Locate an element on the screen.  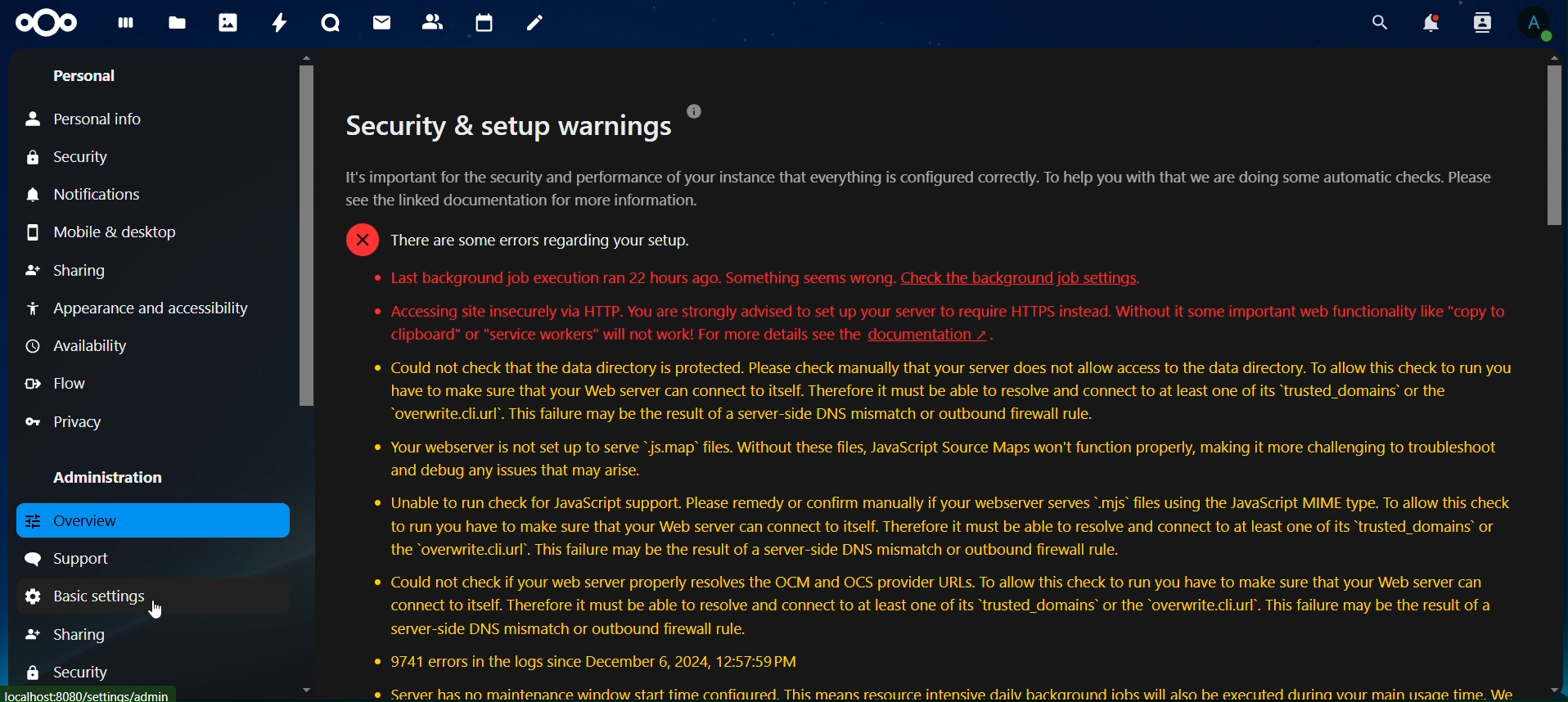
. . [:]
Security & setup warnings
It's important for the security and performance of your instance that everything is configured correctly. To help you with that we are doing some automatic checks. Please
see the linked documentation for more information.
[x] There are some errors regarding your setup.

Last background job execution ran 22 hours ago. Something seems wrong. Check the background job settings.

* Accessing site insecurely via HTTP. You are strongly advised to set up your server to require HTTPS instead. Without it some important web functionality like “copy to
clipboard" or “service workers" will not work! For more details see the documentation ~ .

* Could not check that the data directory is protected. Please check manually that your server does not allow access to the data directory. To allow this check to run you
have to make sure that your Web server can connect to itself. Therefore it must be able to resolve and connect to at least one of its “trusted_domains’ or the
“overwrite.cli.url’. This failure may be the result of a server-side DNS mismatch or outbound firewall rule.

* Your webserver is not set up to serve "js.map’ files. Without these files, JavaScript Source Maps won't function properly, making it more challenging to troubleshoot
and debug any issues that may arise.

* Unable to run check for JavaScript support. Please remedy or confirm manually if your webserver serves ".mjs’ files using the JavaScript MIME type. To allow this check
to run you have to make sure that your Web server can connect to itself. Therefore it must be able to resolve and connect to at least one of its “trusted_domains™ or
the “overwrite cli.url’. This failure may be the result of a server-side DNS mismatch or outbound firewall rule.

* Could not check if your web server properly resolves the OCM and OCS provider URLS. To allow this check to run you have to make sure that your Web server can
connect to itself. Therefore it must be able to resolve and connect to at least one of its “trusted_domains™ or the “overwrite cli.url’. This failure may be the result of a
server-side DNS mismatch or outbound firewall rule.

* 9741 errors in the logs since December 6, 2024, 12:57:59 PM

eo Server has no maintenance window start time confiaured. This means resource intensive dailv backaround iohs will also be executed durina vour main usaae time. We is located at coordinates (926, 402).